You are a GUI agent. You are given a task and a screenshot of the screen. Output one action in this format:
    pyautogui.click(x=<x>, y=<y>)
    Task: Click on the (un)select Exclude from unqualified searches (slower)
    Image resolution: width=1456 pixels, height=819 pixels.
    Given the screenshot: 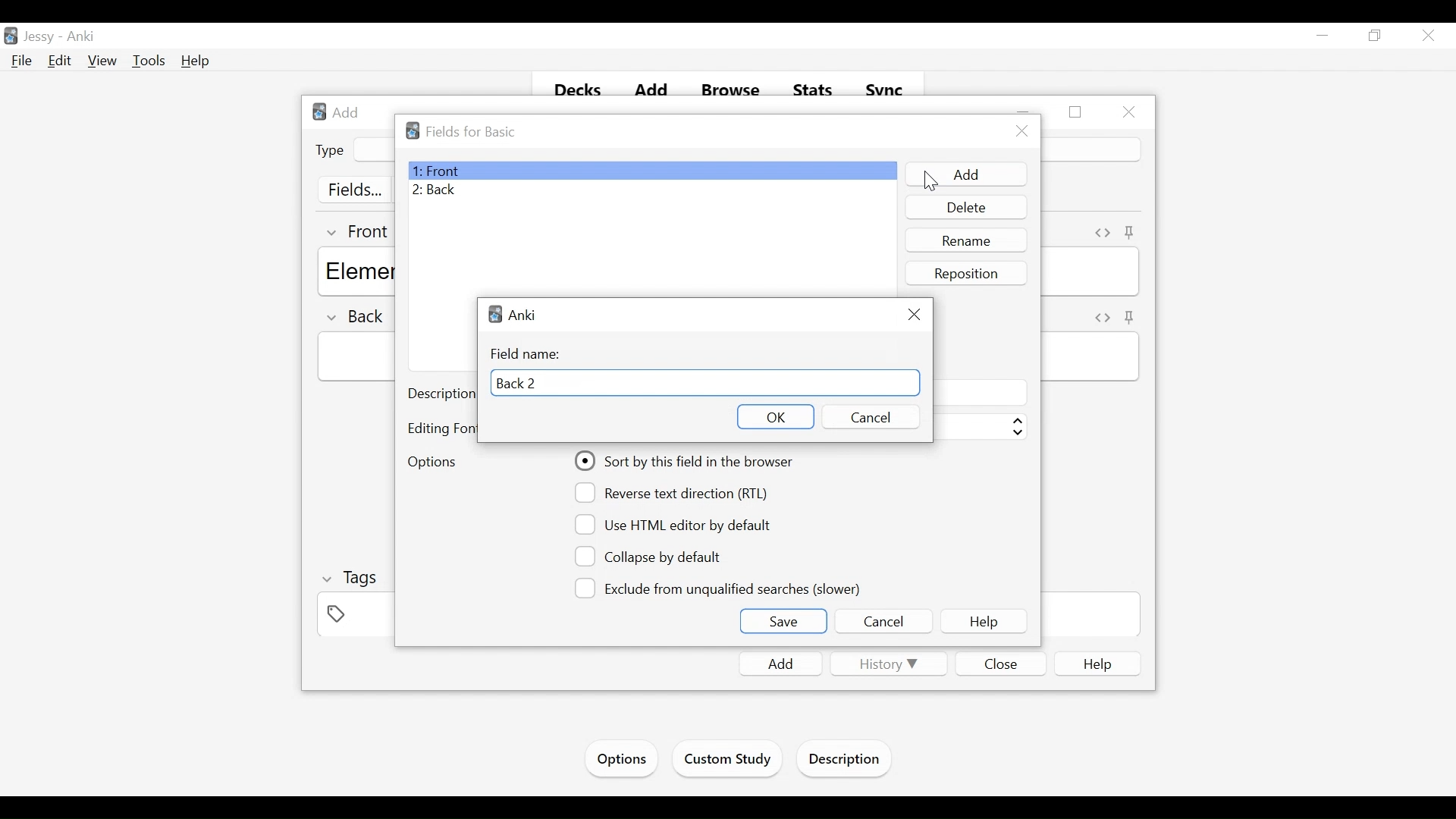 What is the action you would take?
    pyautogui.click(x=720, y=588)
    